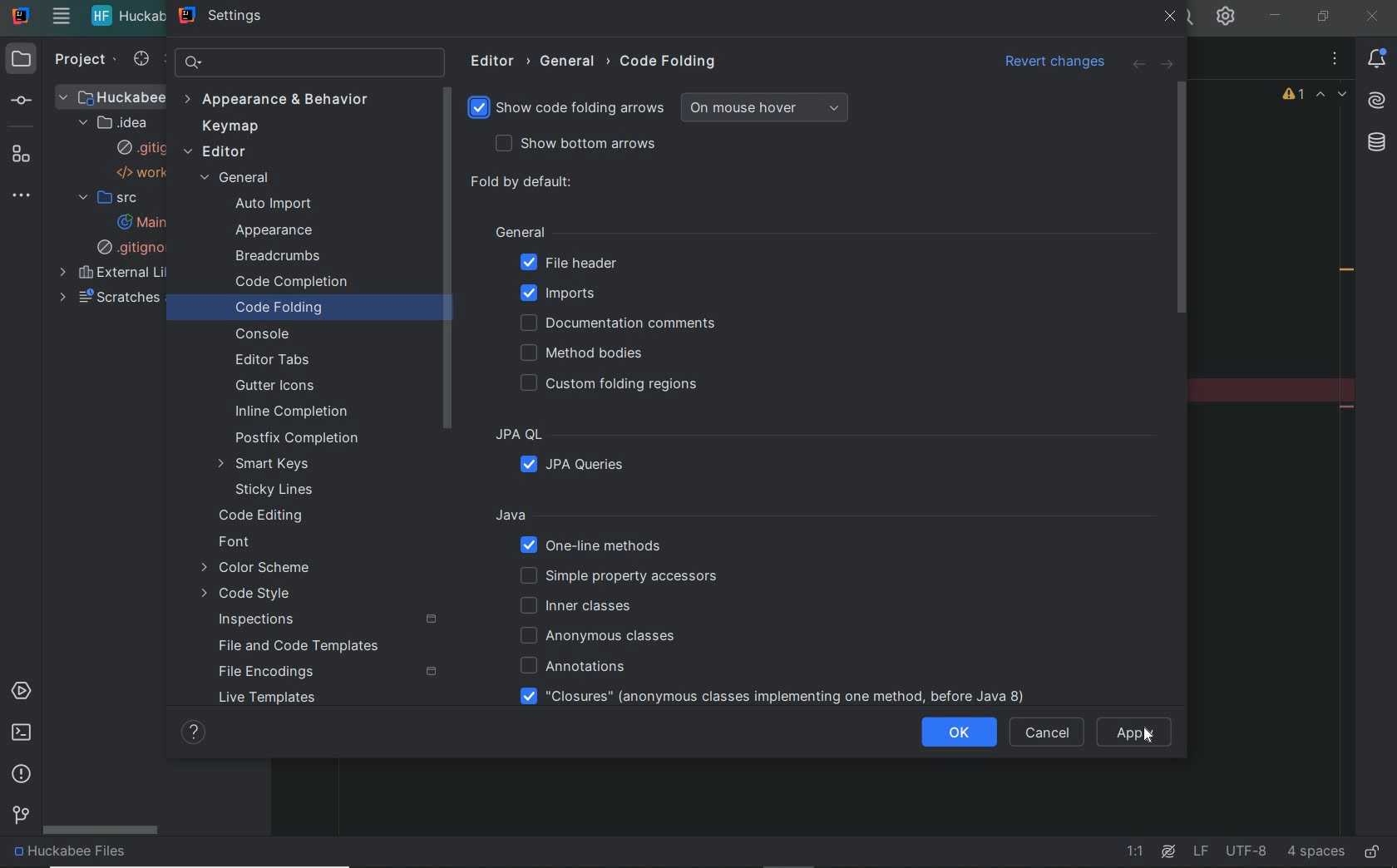  I want to click on imports, so click(564, 296).